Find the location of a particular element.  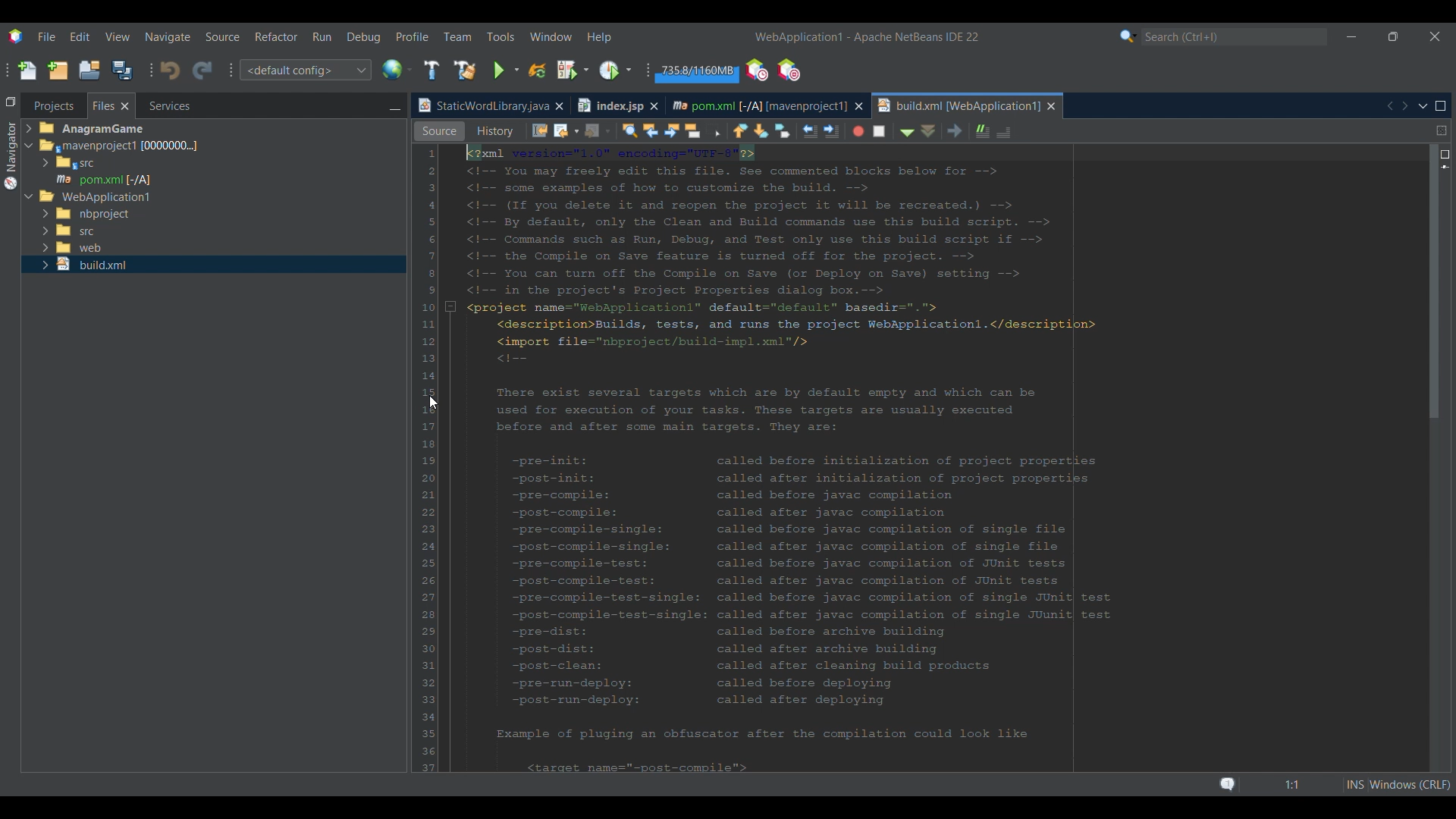

Configuration options is located at coordinates (305, 70).